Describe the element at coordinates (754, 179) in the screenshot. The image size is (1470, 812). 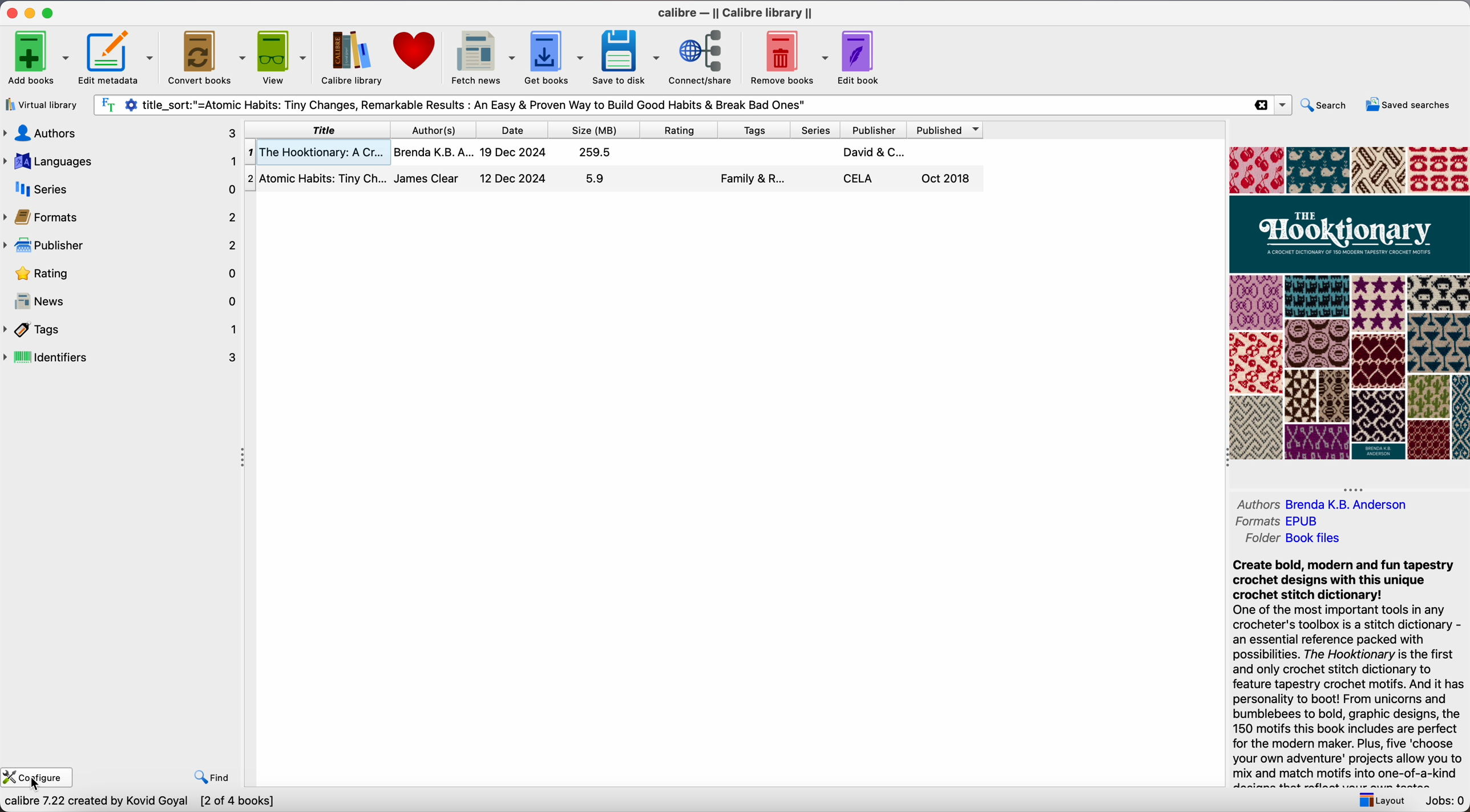
I see `Family & R...` at that location.